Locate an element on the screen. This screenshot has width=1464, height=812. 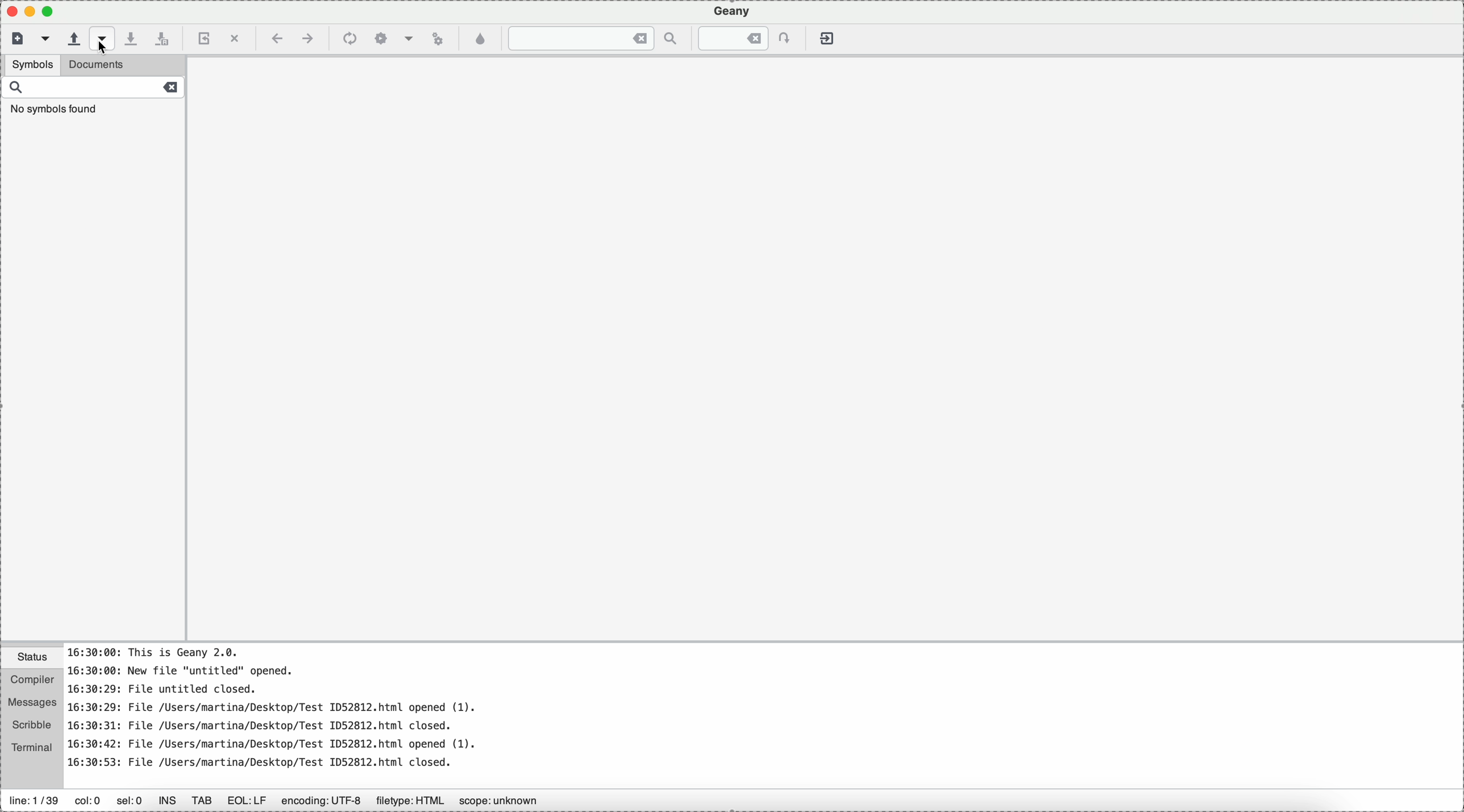
open a recent file is located at coordinates (109, 39).